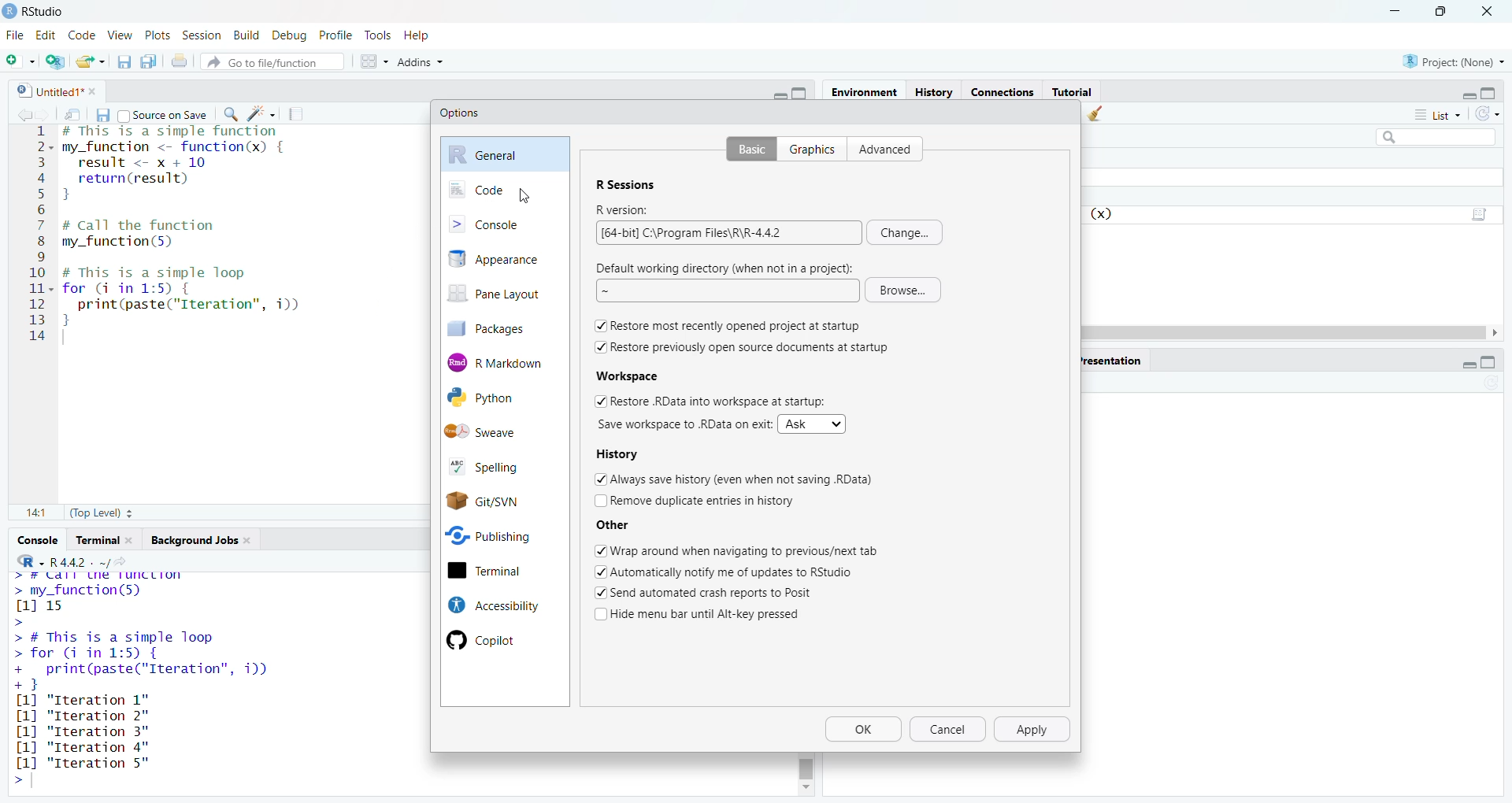 This screenshot has width=1512, height=803. I want to click on pane layout, so click(499, 295).